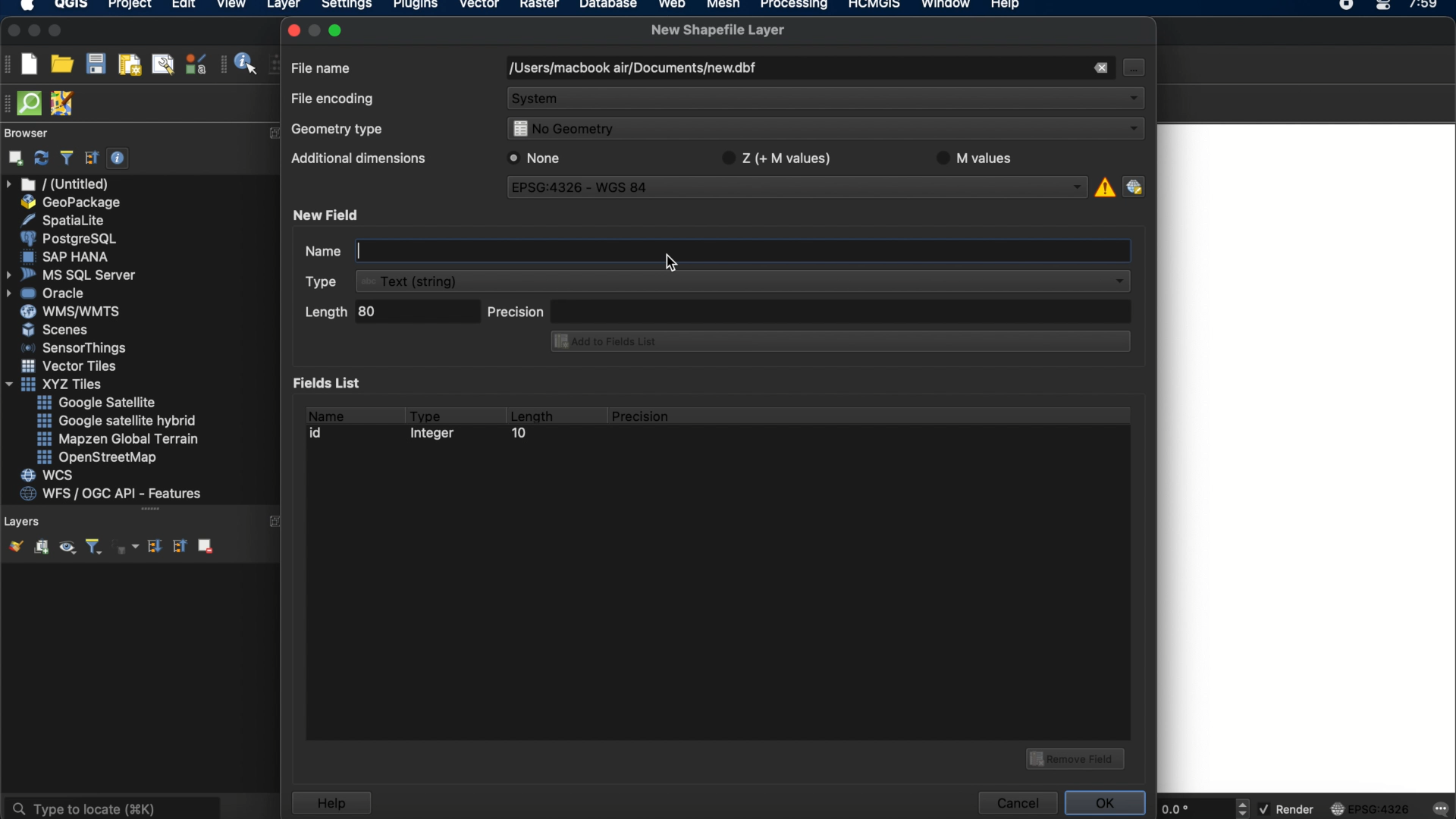  I want to click on file name, type, location, so click(632, 69).